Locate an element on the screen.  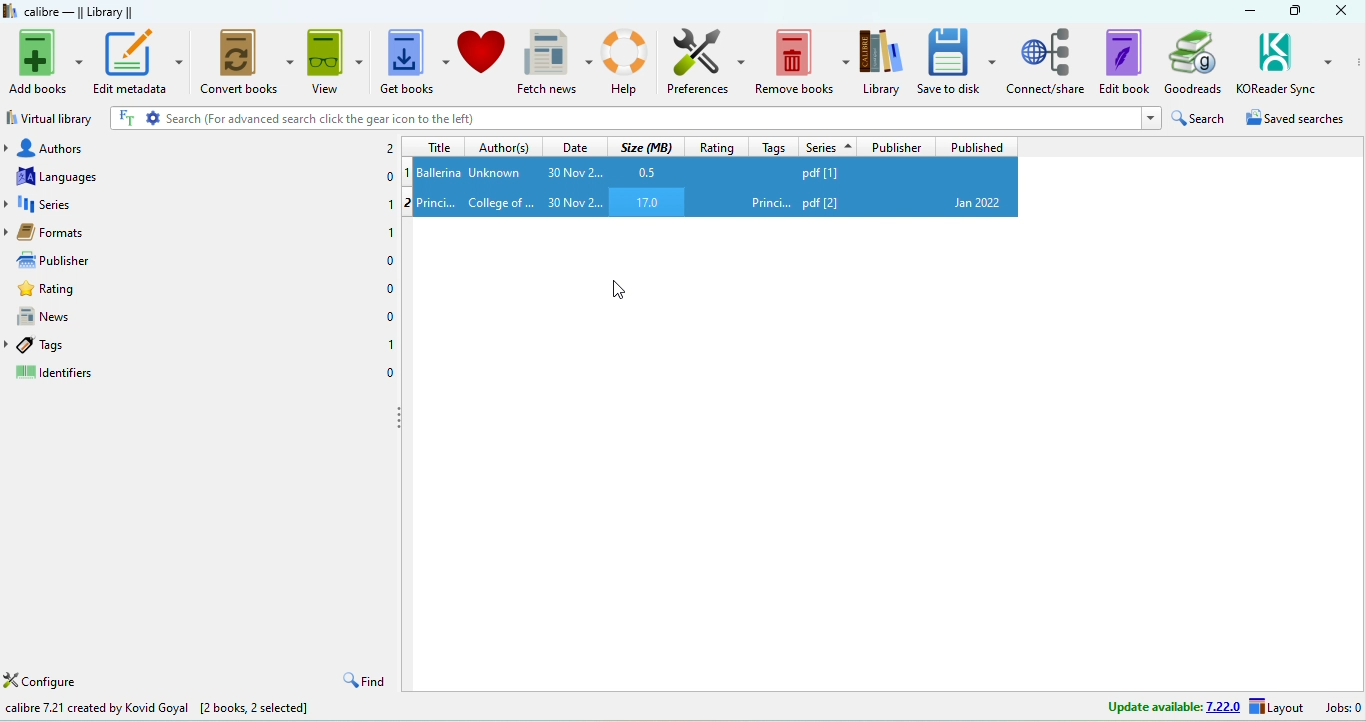
donate is located at coordinates (483, 61).